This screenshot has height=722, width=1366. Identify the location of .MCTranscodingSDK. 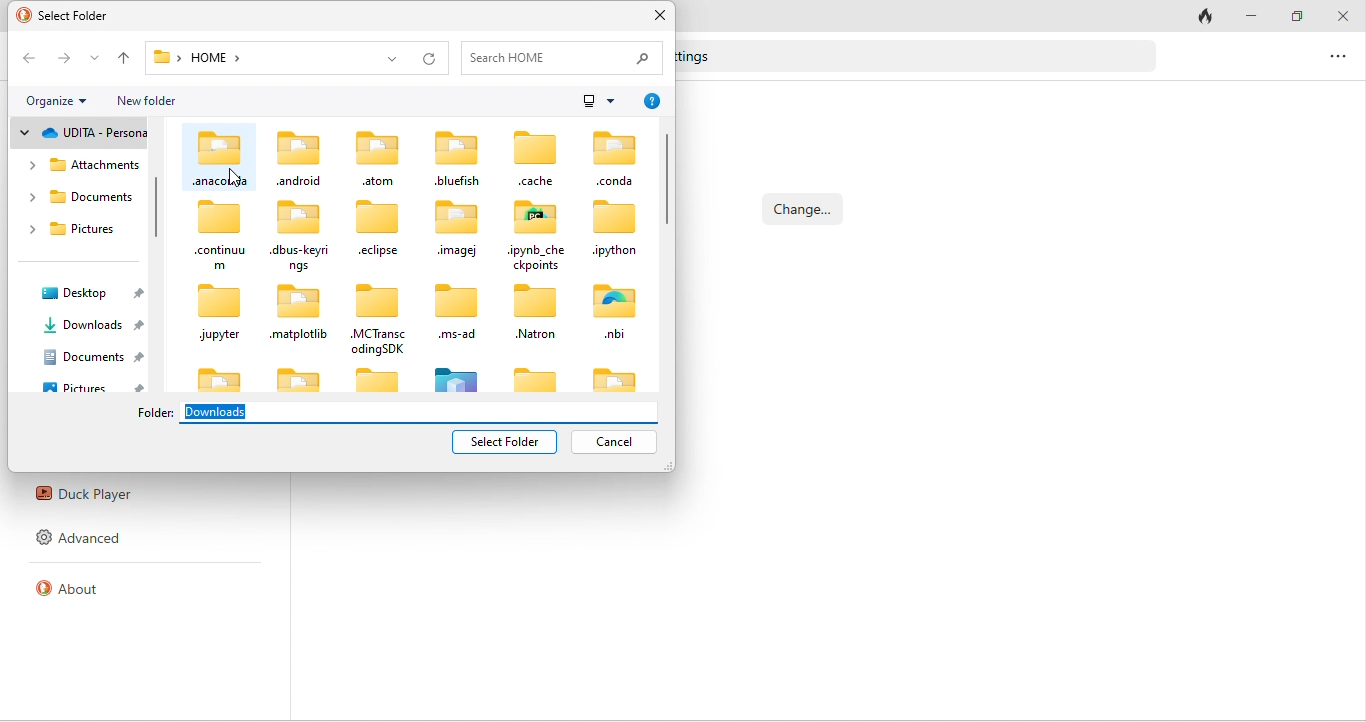
(376, 320).